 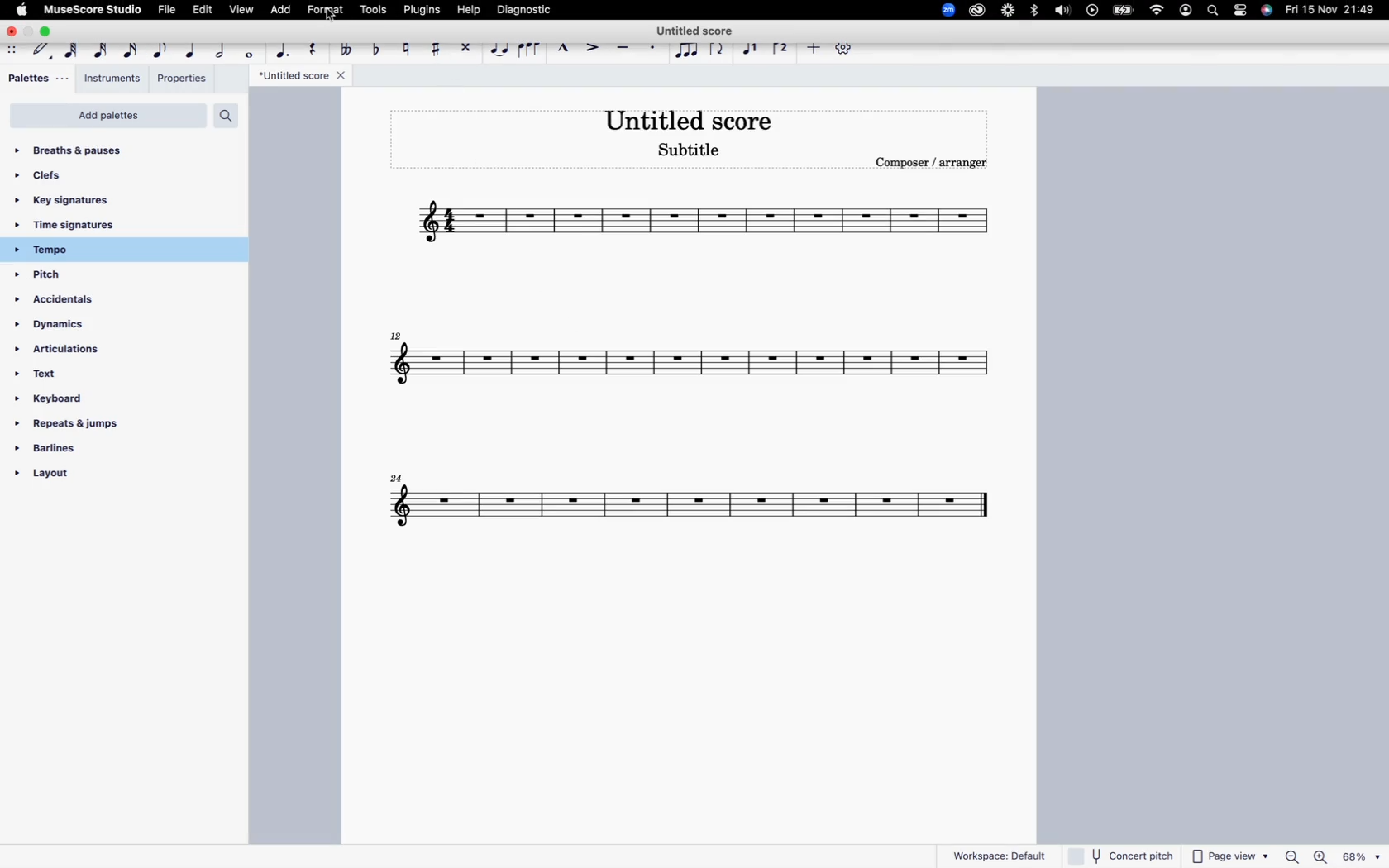 I want to click on tenuto, so click(x=626, y=48).